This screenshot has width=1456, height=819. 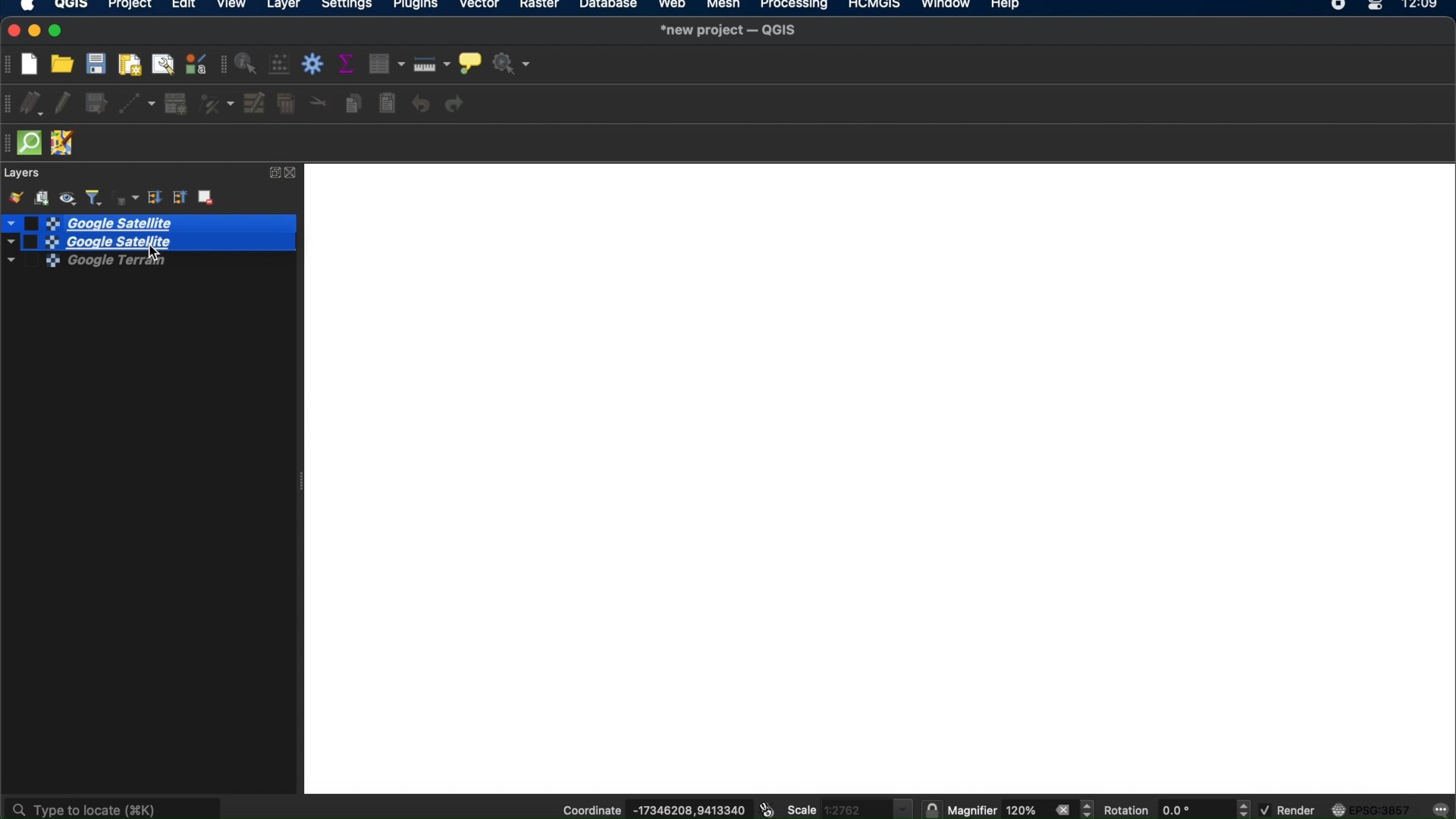 I want to click on QGIS, so click(x=71, y=6).